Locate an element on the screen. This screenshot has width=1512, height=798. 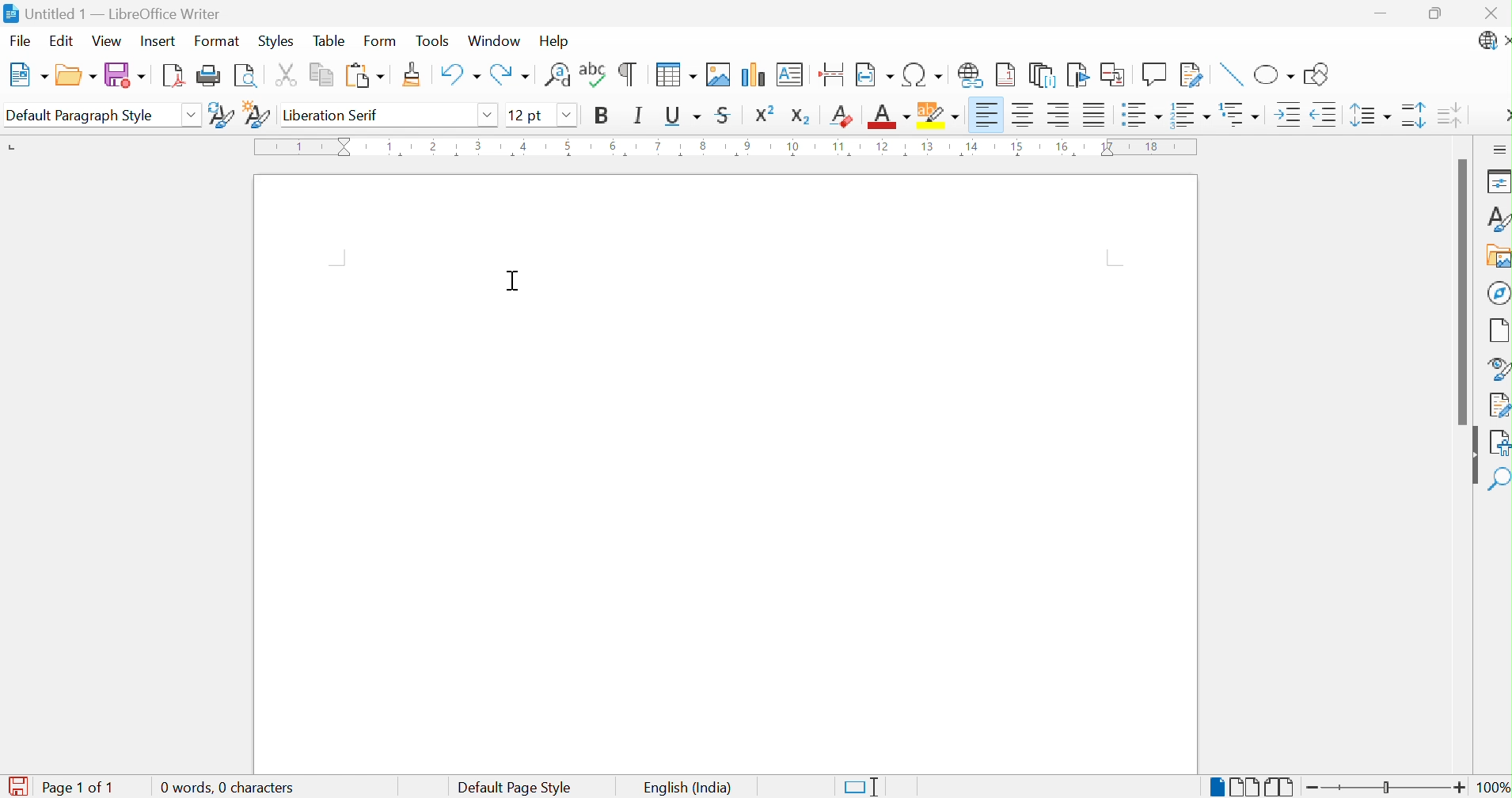
The document has been modified. Click to save the document. is located at coordinates (17, 785).